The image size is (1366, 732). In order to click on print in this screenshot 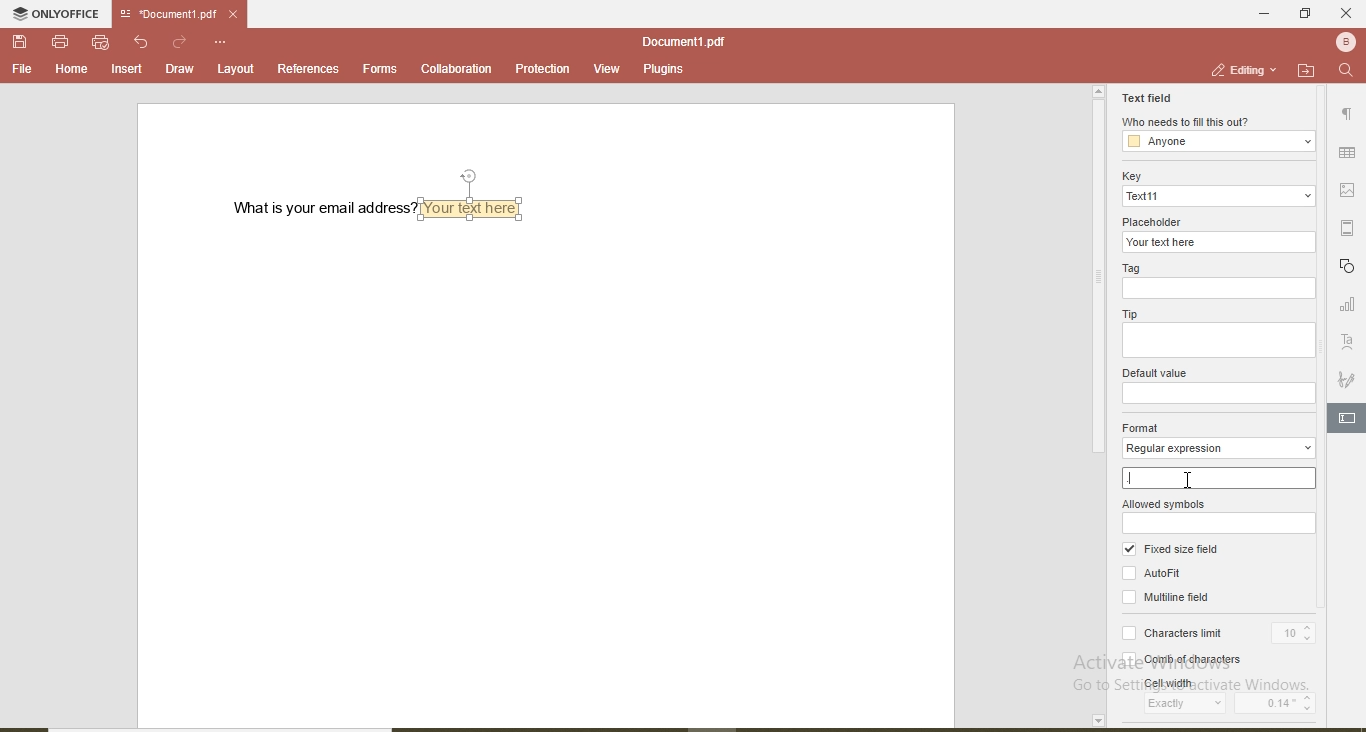, I will do `click(60, 40)`.